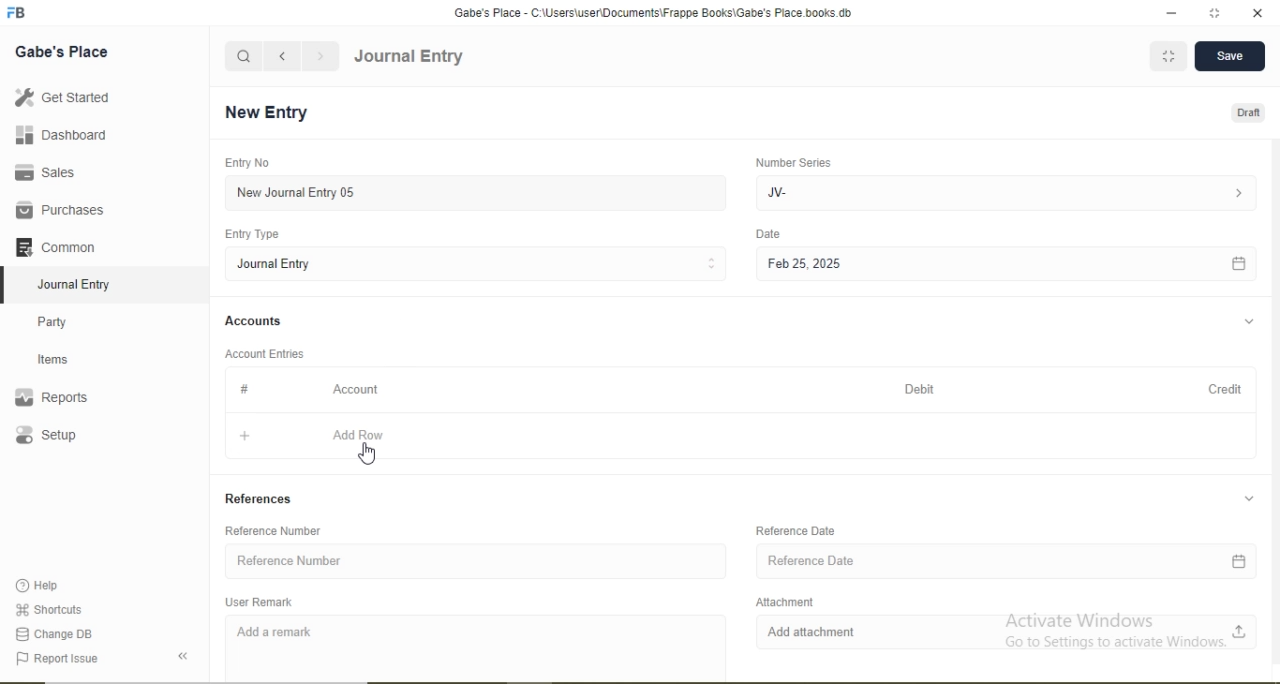 The image size is (1280, 684). Describe the element at coordinates (65, 359) in the screenshot. I see `Items` at that location.